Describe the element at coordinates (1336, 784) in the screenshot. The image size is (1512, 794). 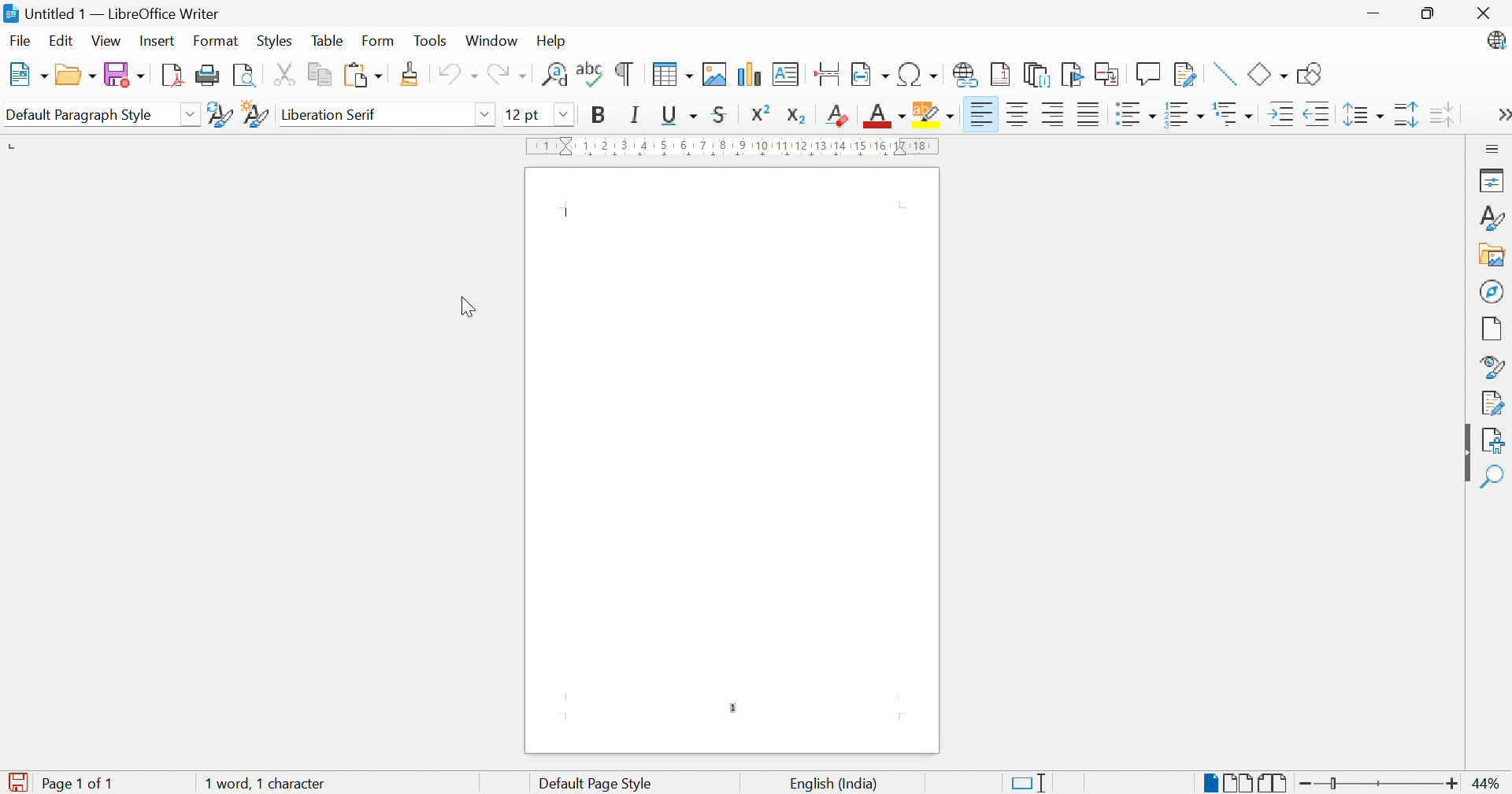
I see `Slider` at that location.